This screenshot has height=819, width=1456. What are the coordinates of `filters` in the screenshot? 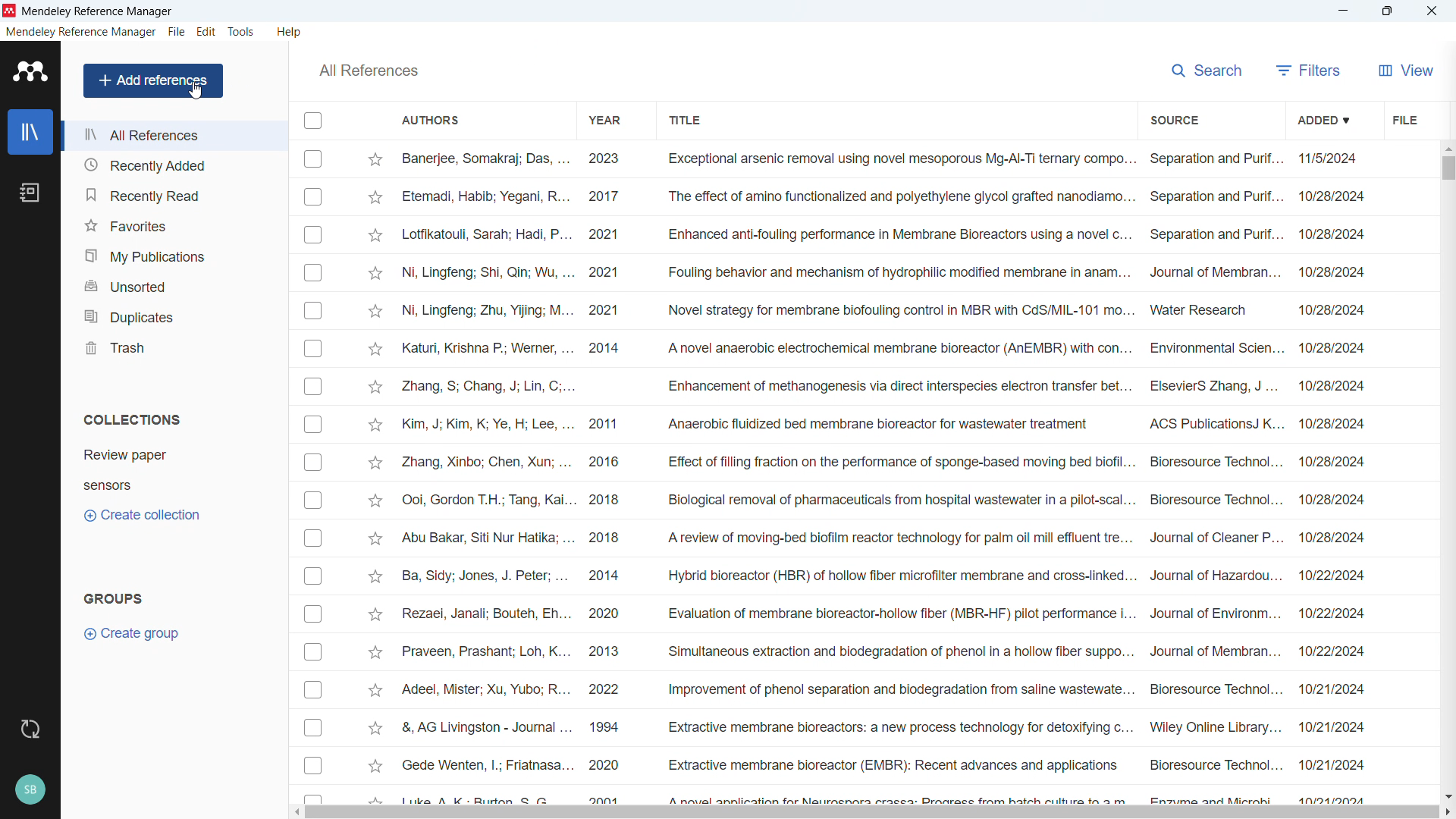 It's located at (1309, 70).